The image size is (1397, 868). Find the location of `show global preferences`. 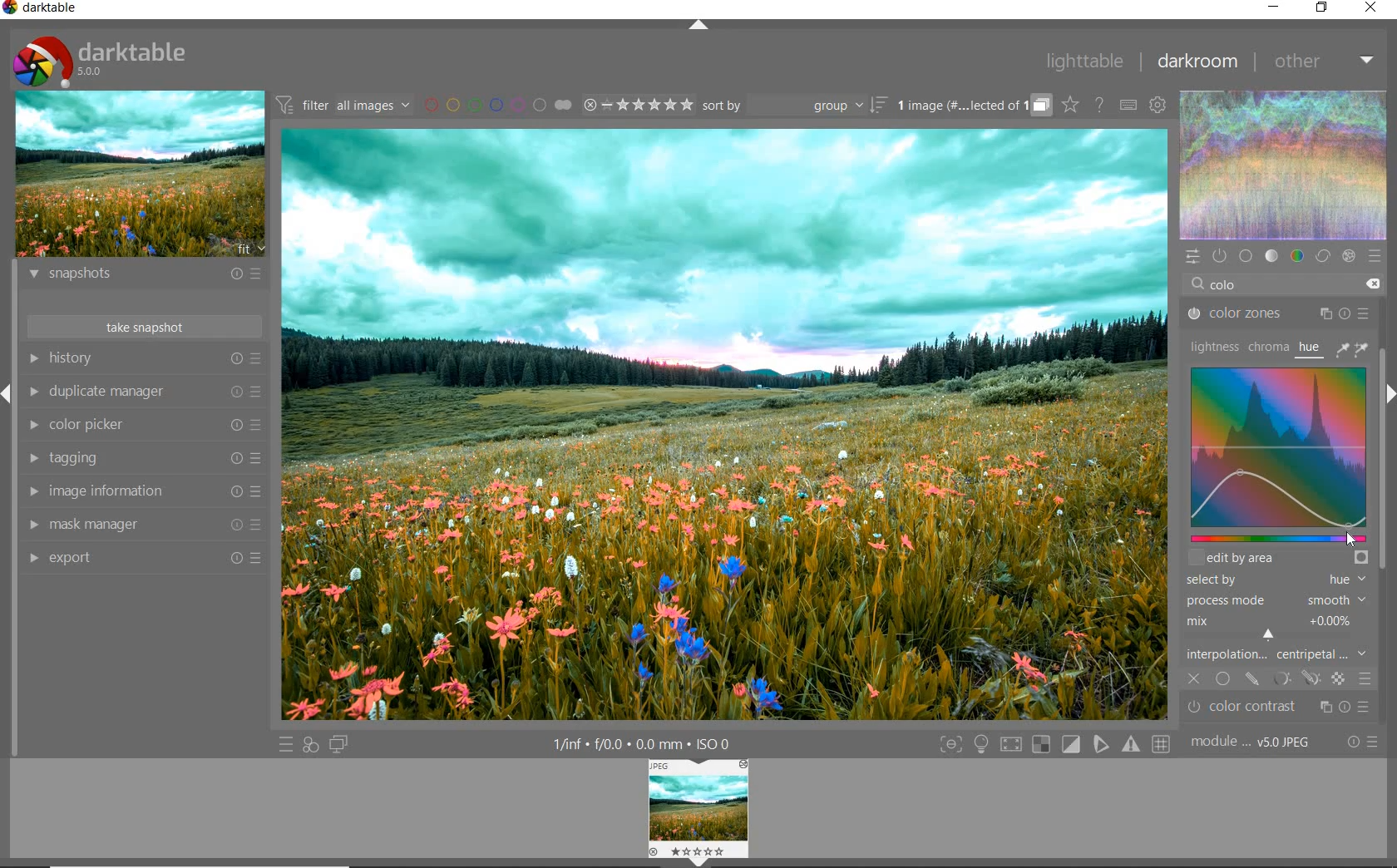

show global preferences is located at coordinates (1156, 105).